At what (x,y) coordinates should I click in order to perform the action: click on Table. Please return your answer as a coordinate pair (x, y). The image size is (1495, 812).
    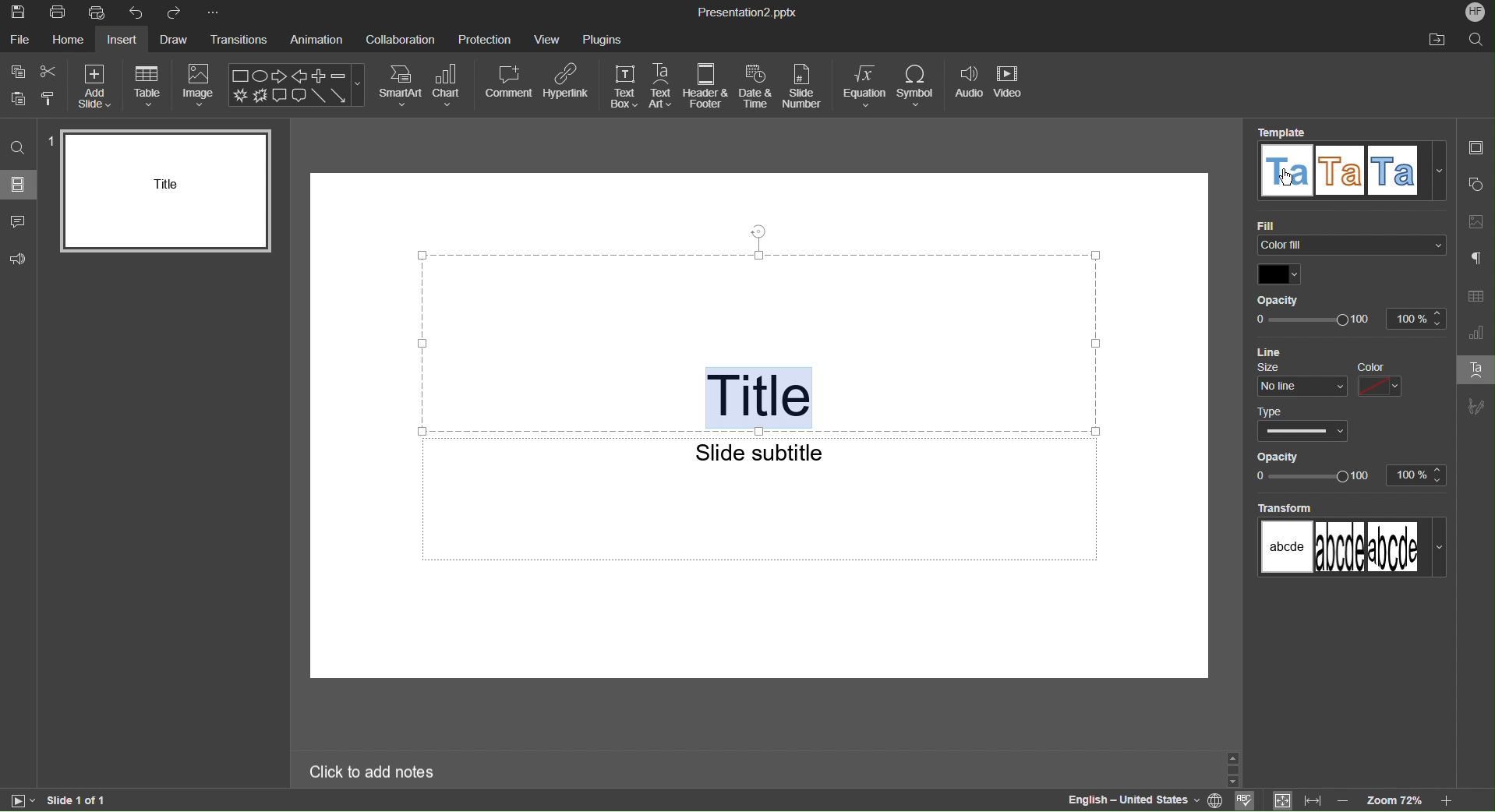
    Looking at the image, I should click on (147, 85).